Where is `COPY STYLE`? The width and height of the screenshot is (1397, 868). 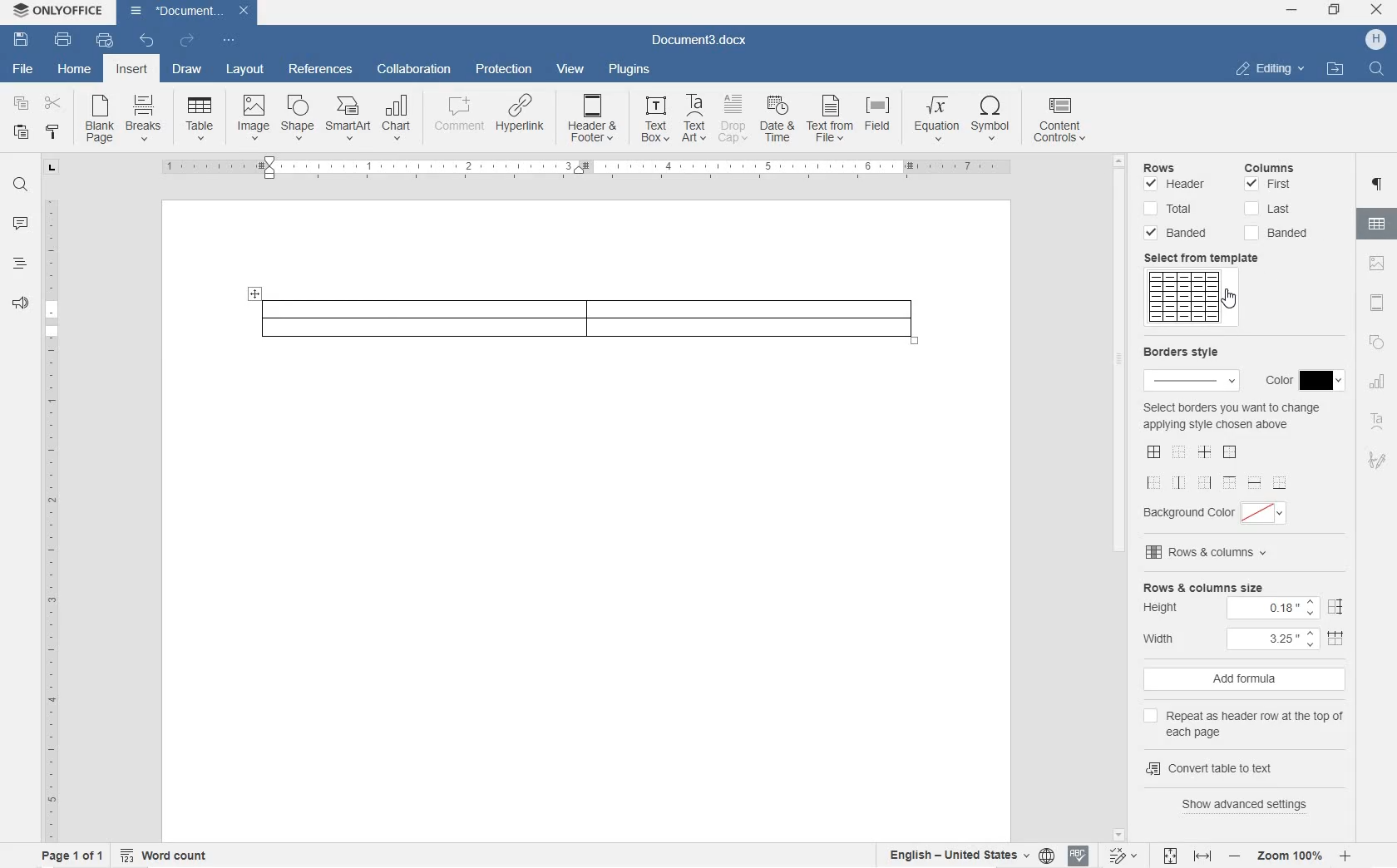
COPY STYLE is located at coordinates (54, 134).